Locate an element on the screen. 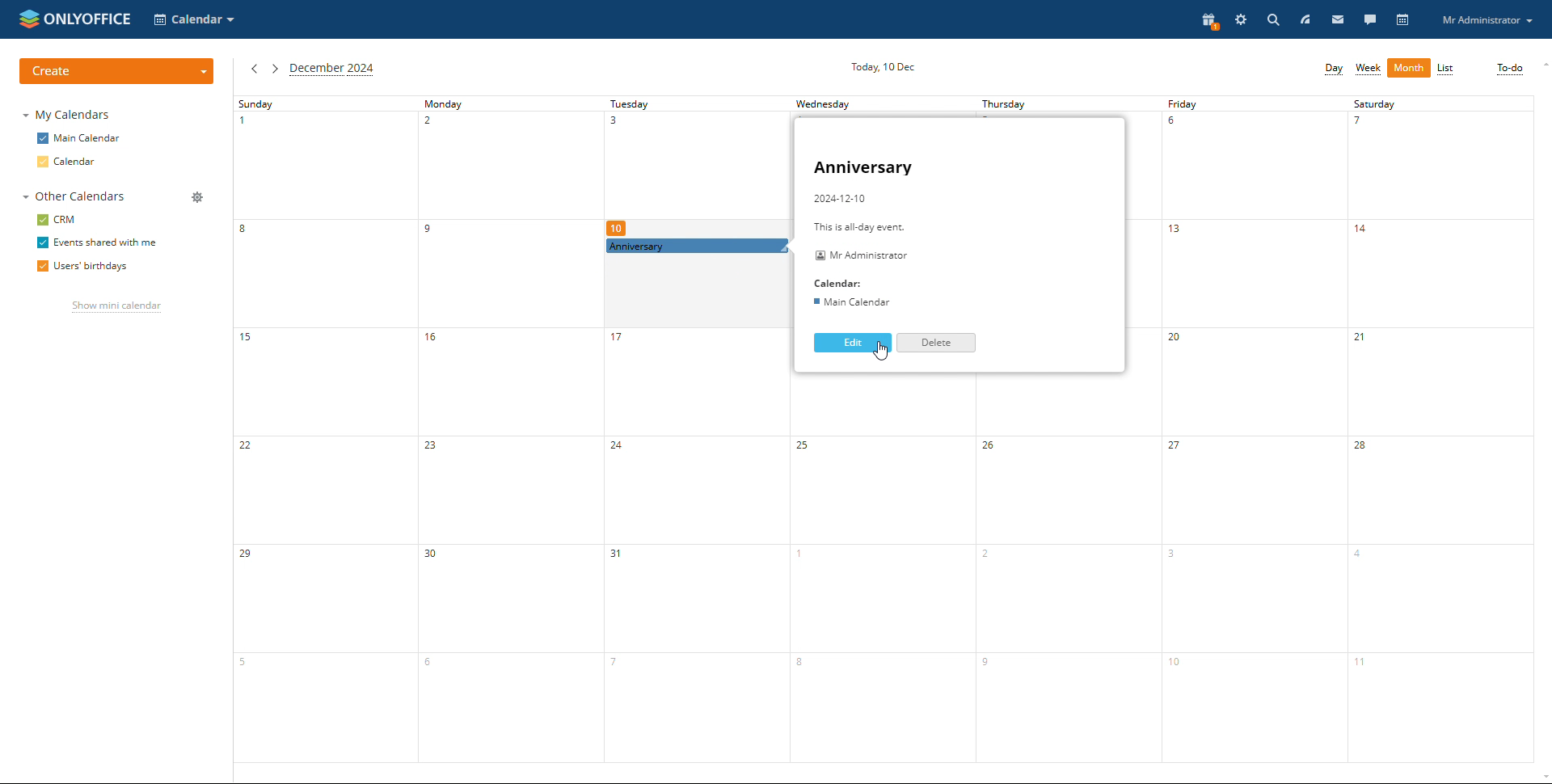 The image size is (1552, 784). Calendar: is located at coordinates (841, 283).